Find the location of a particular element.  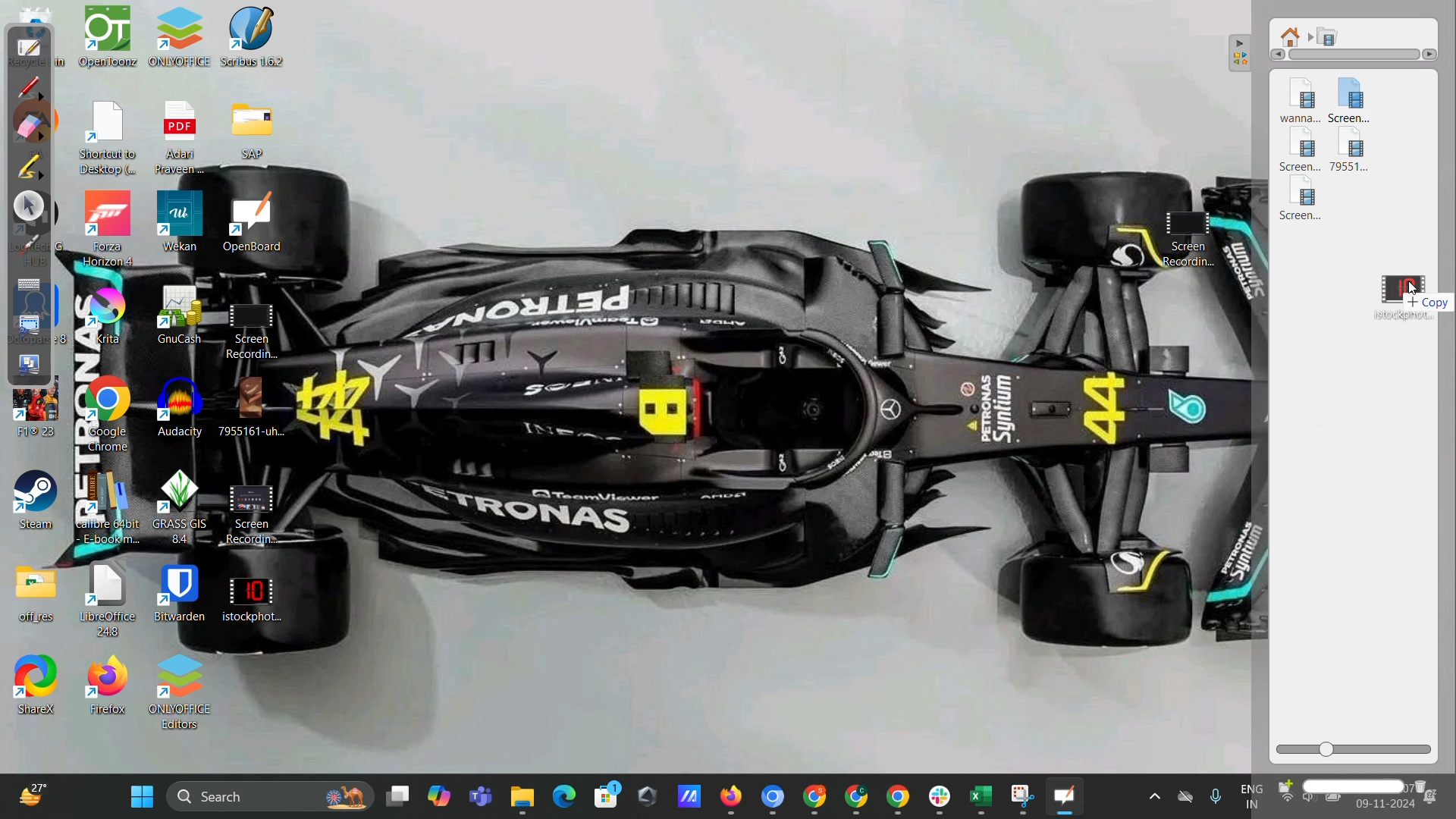

Audacity is located at coordinates (175, 409).